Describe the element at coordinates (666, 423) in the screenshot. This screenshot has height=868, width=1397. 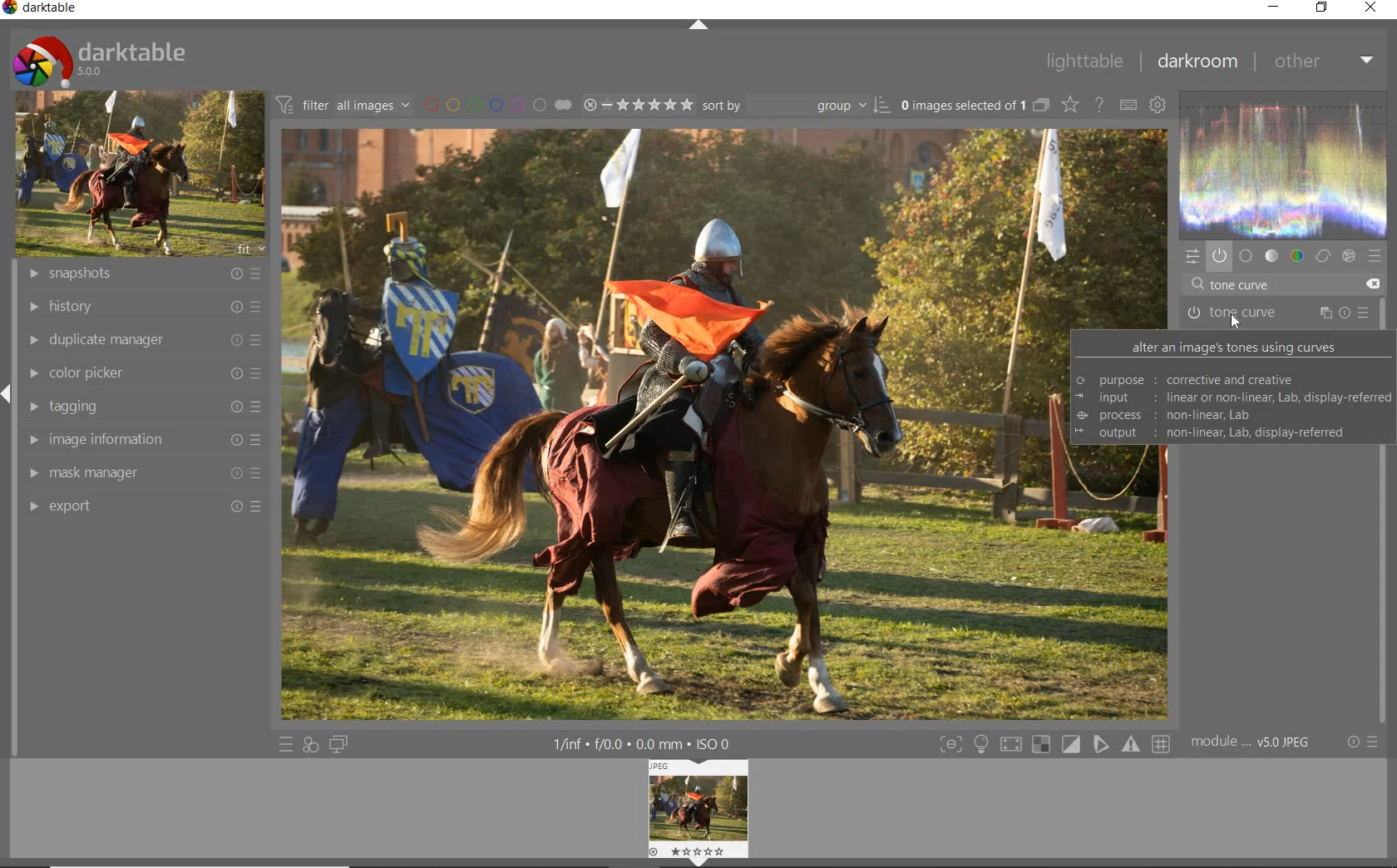
I see `selected image` at that location.